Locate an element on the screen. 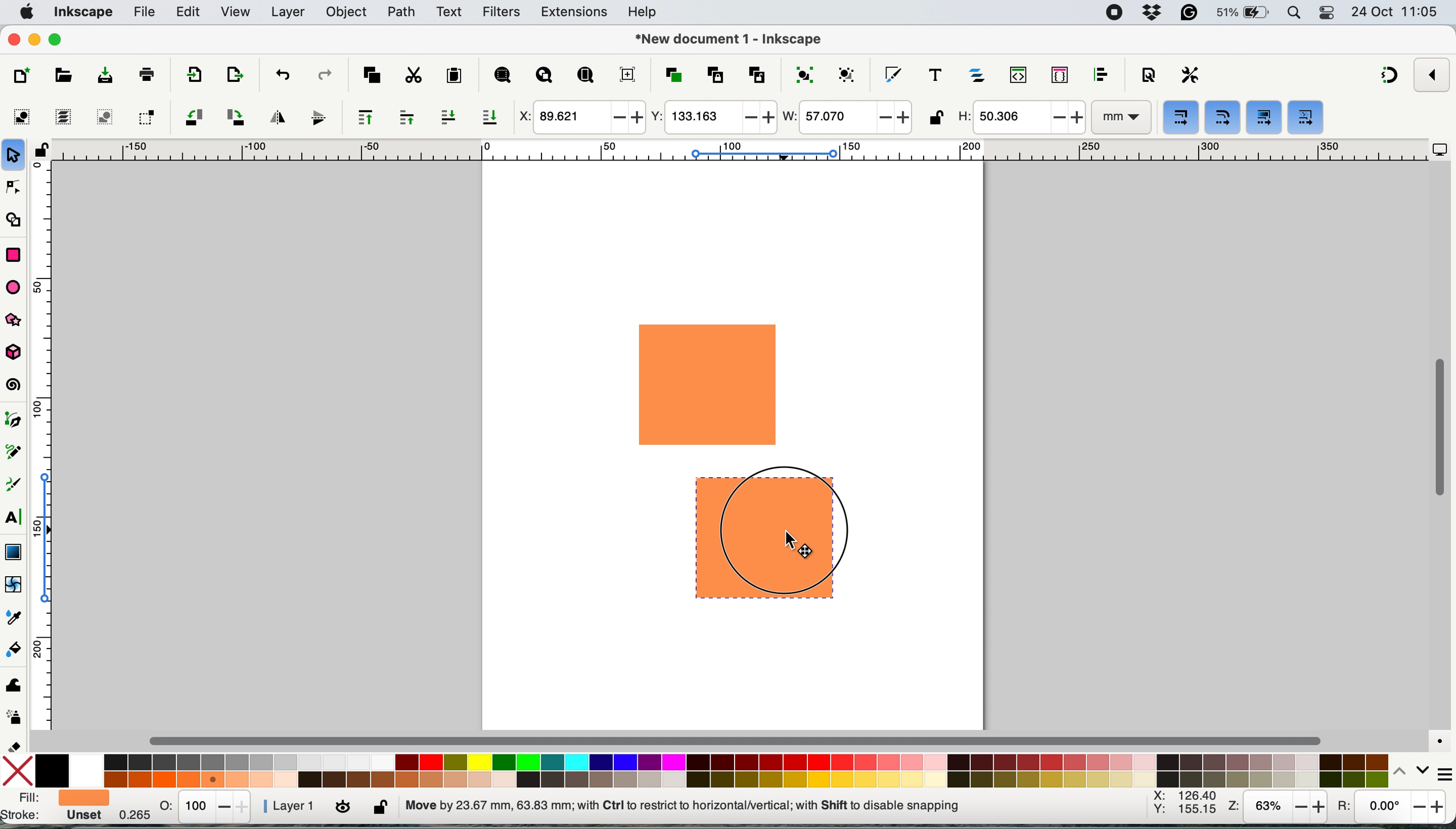 The image size is (1456, 829). xy coordinates is located at coordinates (1184, 806).